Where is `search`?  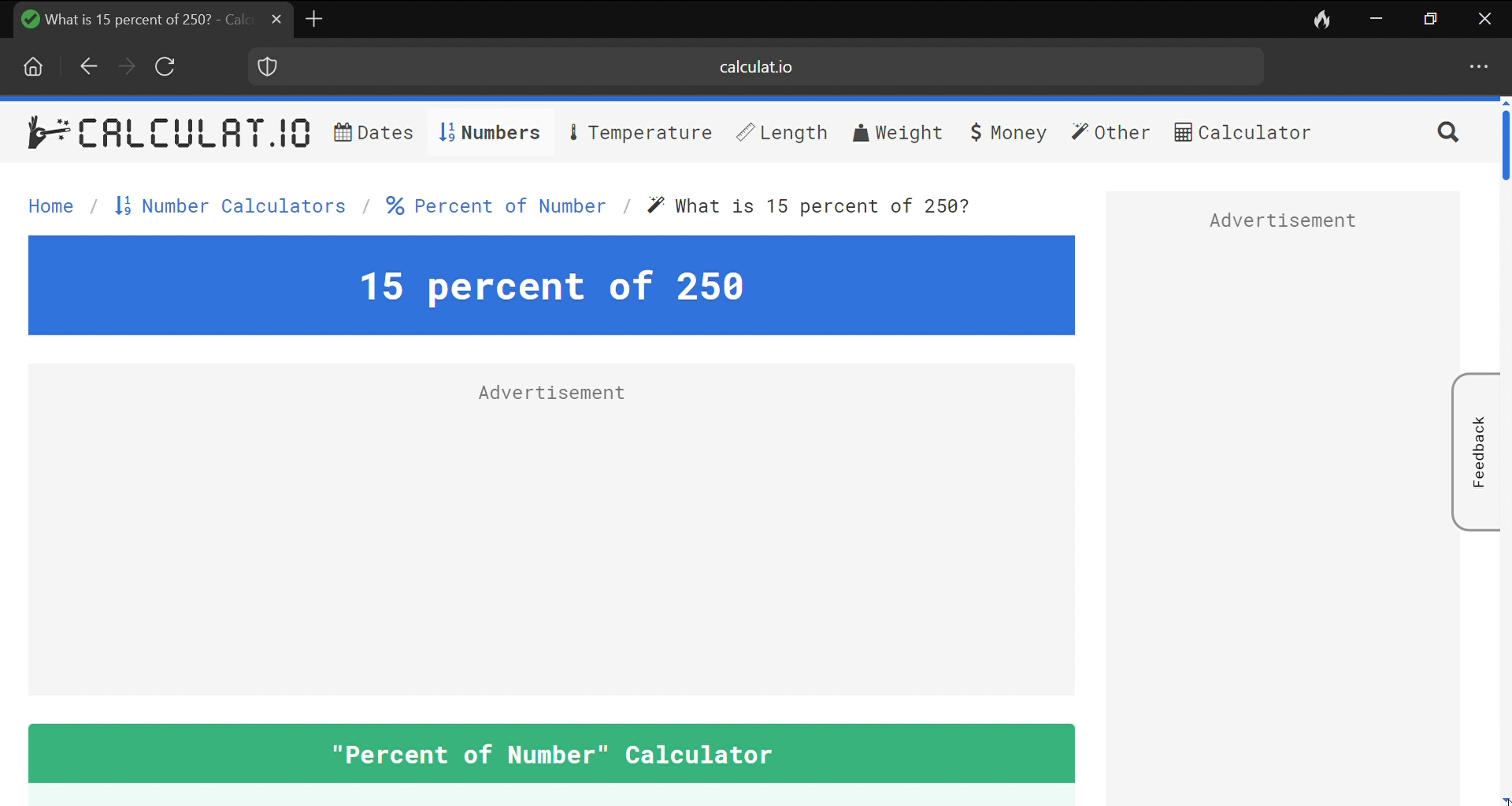 search is located at coordinates (1445, 134).